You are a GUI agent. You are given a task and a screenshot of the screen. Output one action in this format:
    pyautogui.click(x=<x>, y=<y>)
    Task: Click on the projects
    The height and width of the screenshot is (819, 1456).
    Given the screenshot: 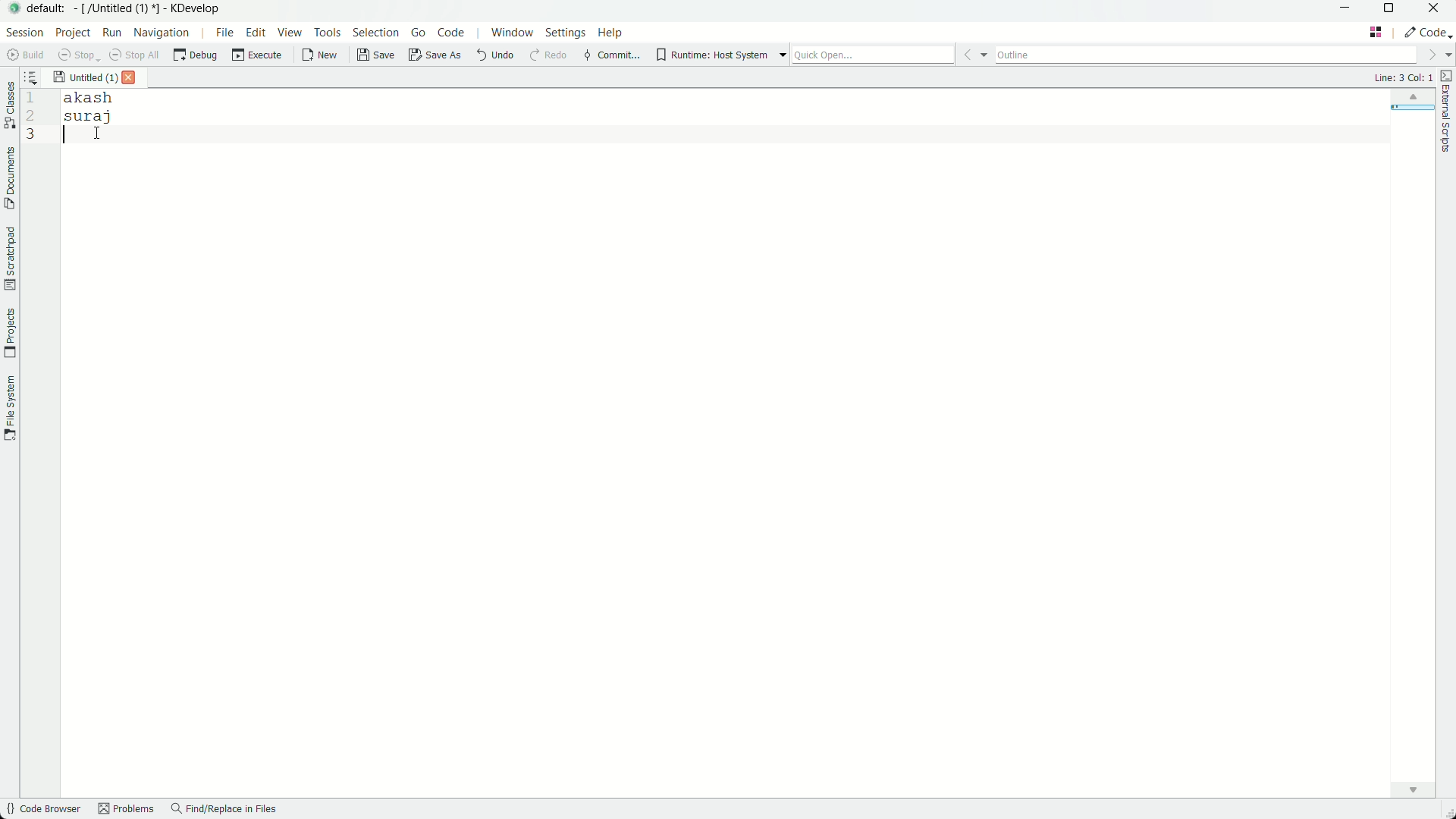 What is the action you would take?
    pyautogui.click(x=10, y=334)
    